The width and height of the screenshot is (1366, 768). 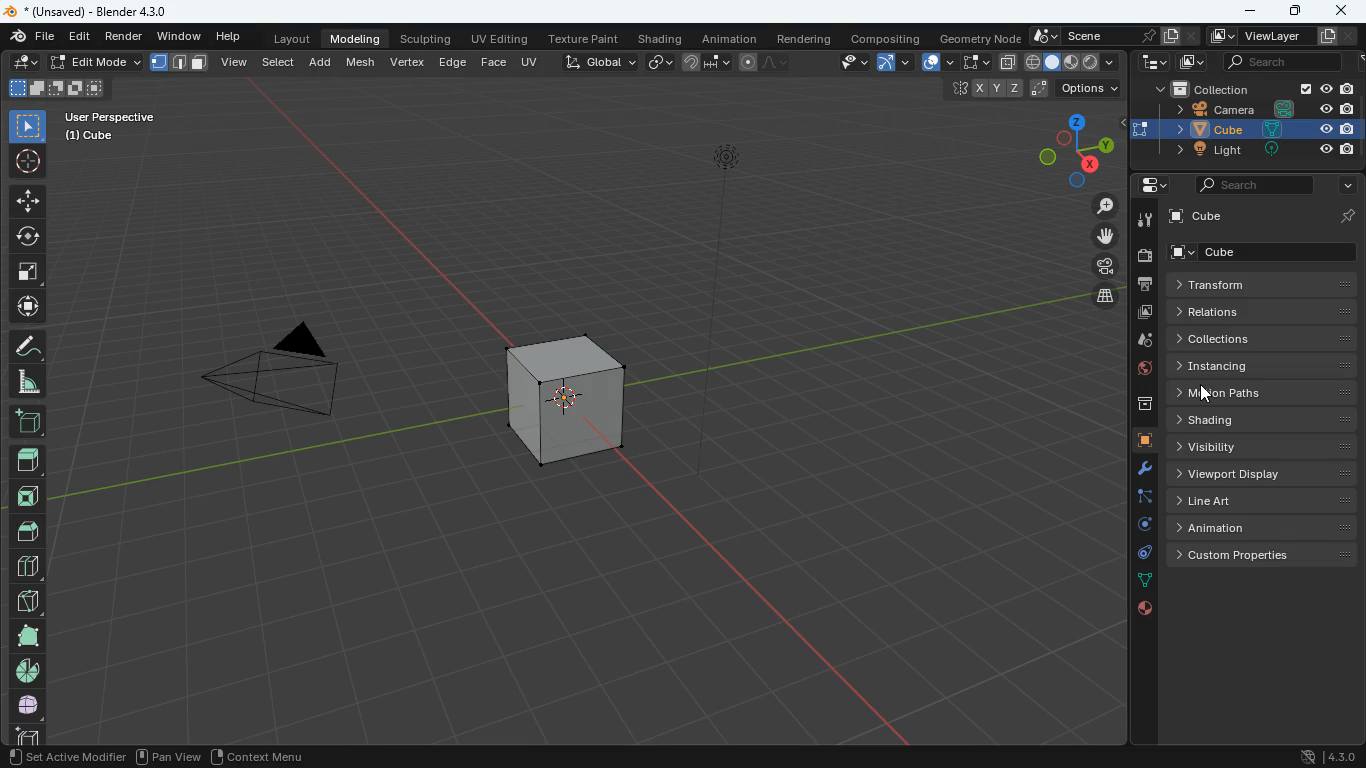 What do you see at coordinates (1202, 397) in the screenshot?
I see `cursor` at bounding box center [1202, 397].